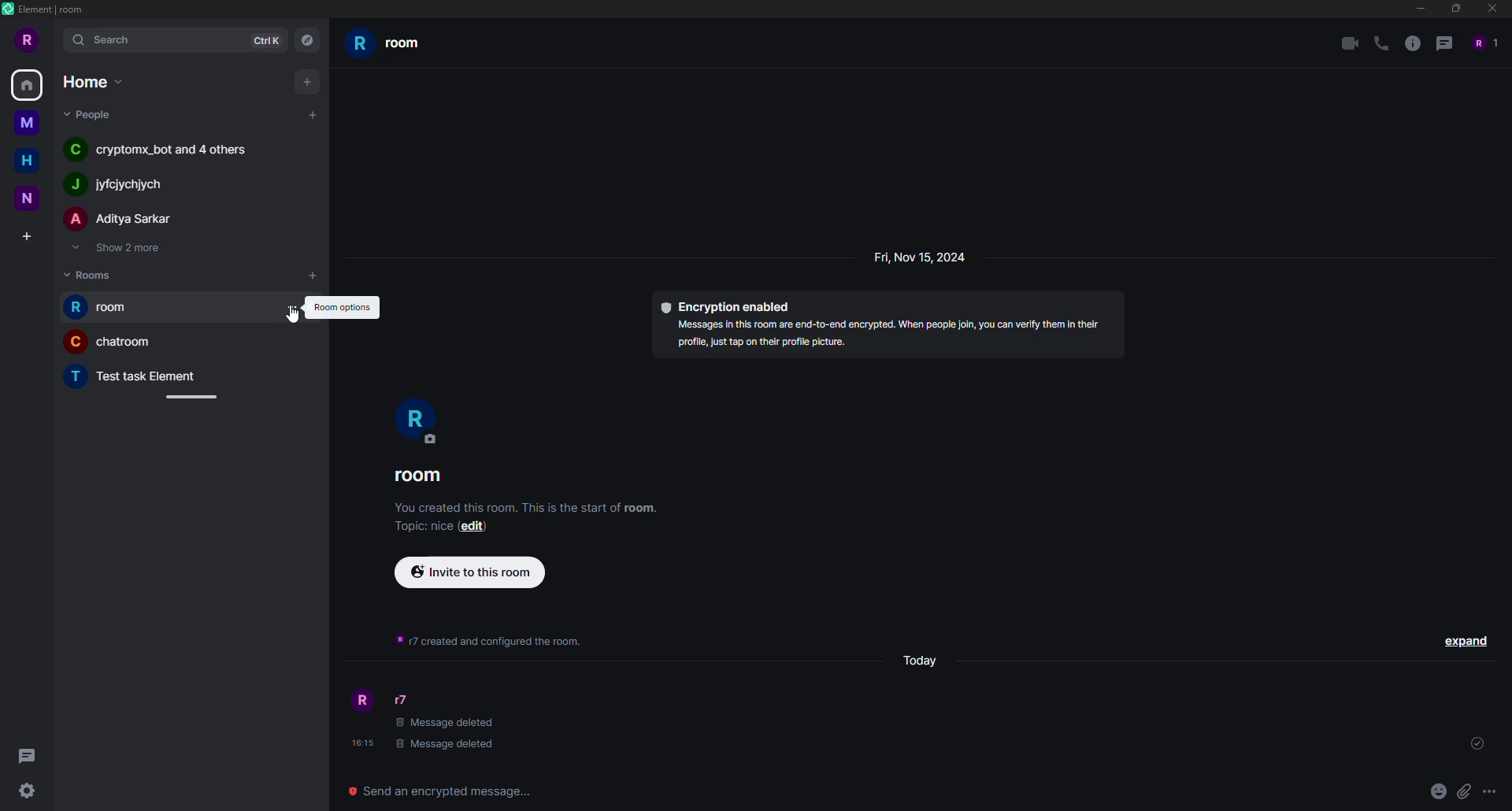 The width and height of the screenshot is (1512, 811). What do you see at coordinates (475, 529) in the screenshot?
I see `edit` at bounding box center [475, 529].